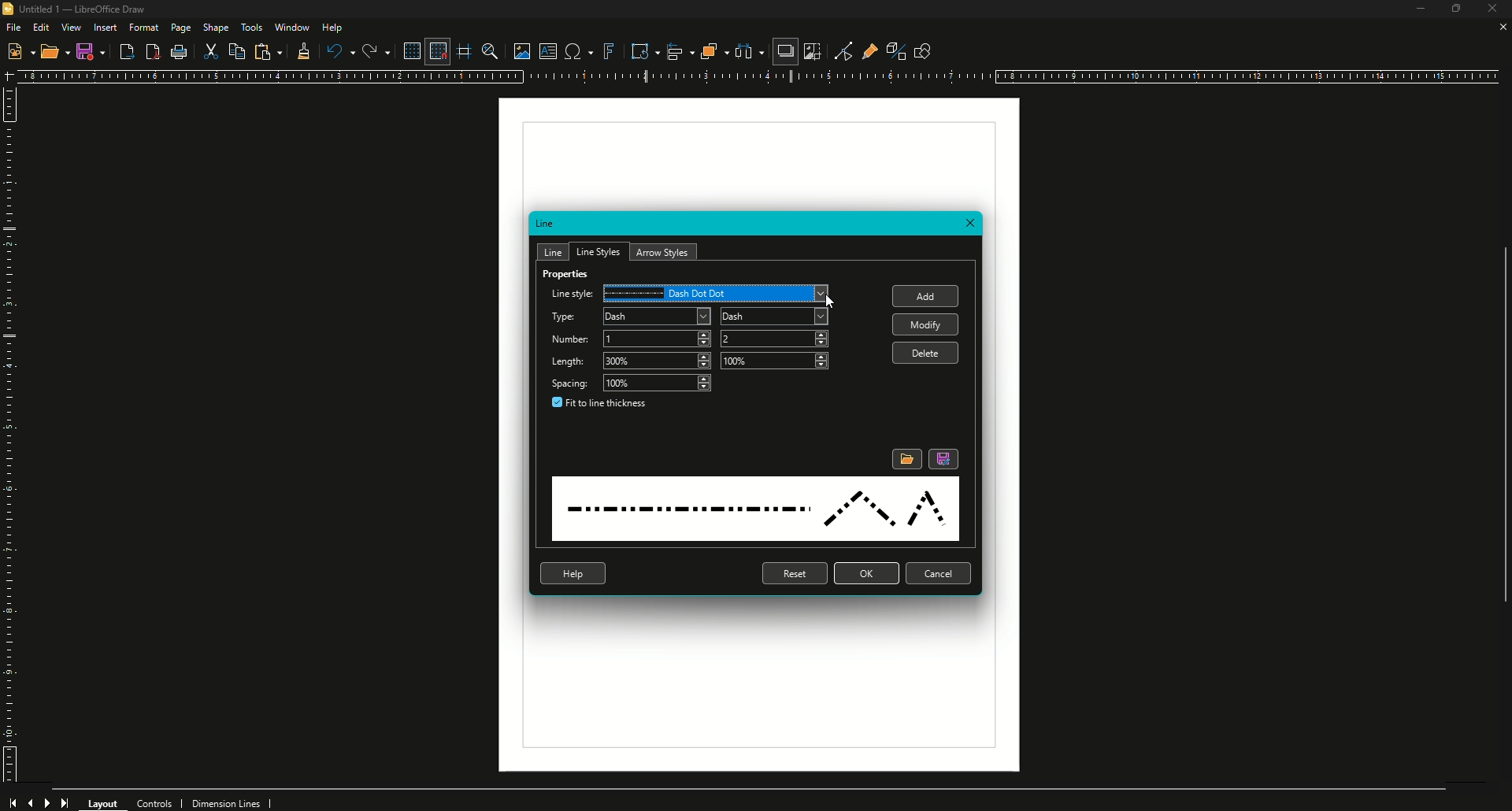 The image size is (1512, 811). I want to click on Cursor, so click(832, 302).